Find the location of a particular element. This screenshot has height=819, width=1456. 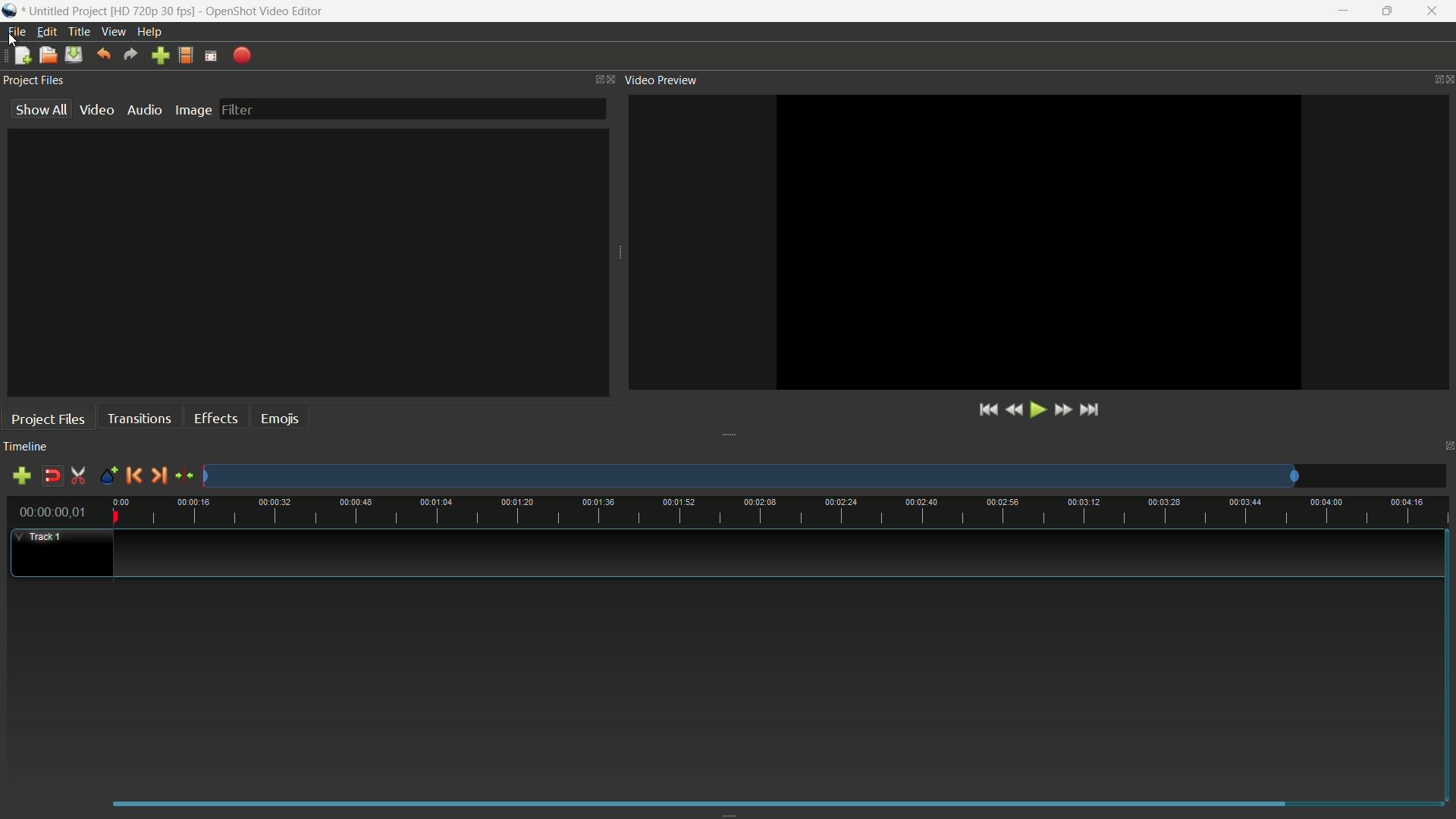

app icon is located at coordinates (11, 11).